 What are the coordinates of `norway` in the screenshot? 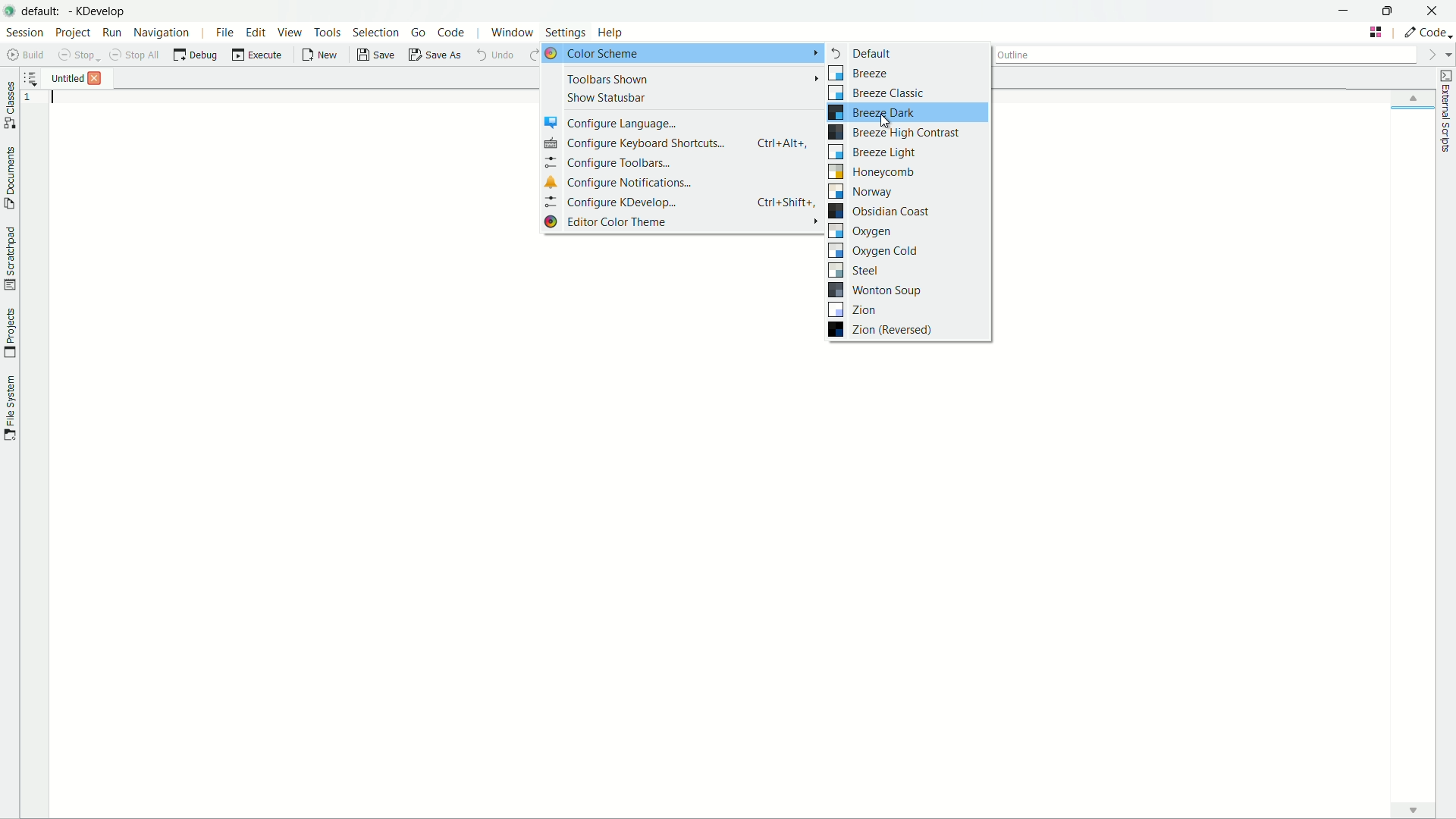 It's located at (861, 192).